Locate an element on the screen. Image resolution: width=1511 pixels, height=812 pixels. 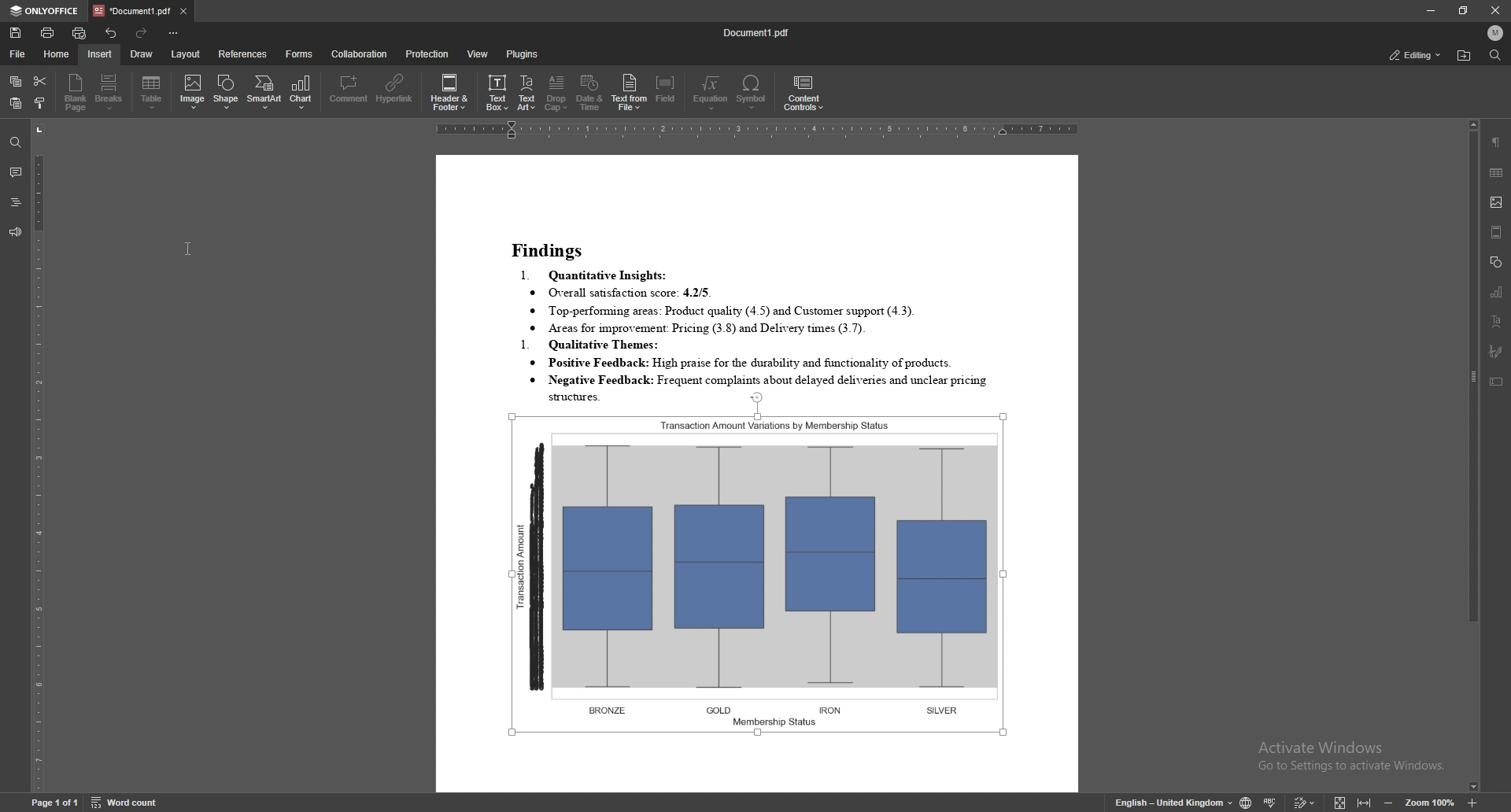
find is located at coordinates (14, 142).